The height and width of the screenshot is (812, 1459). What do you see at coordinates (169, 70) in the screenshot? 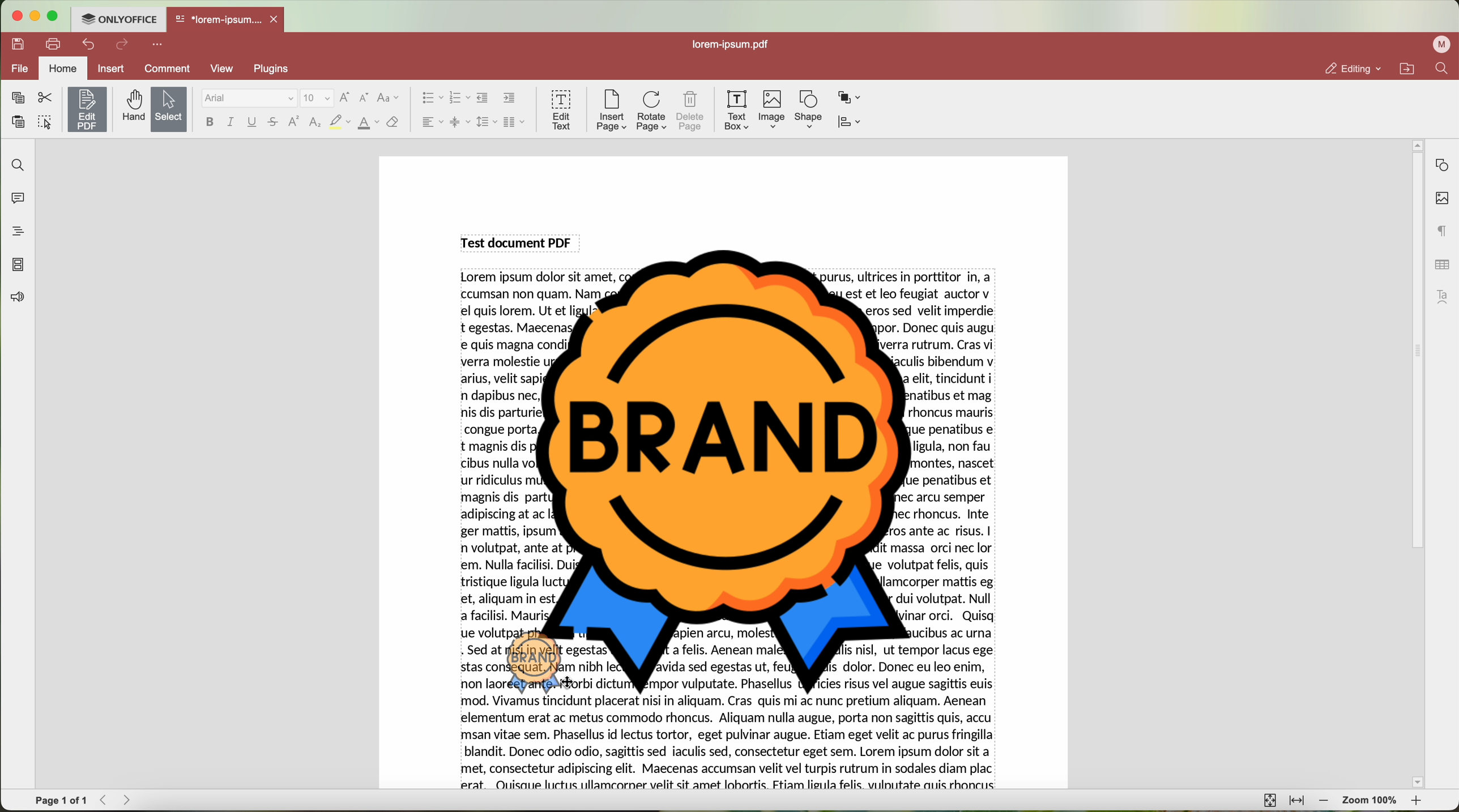
I see `comment` at bounding box center [169, 70].